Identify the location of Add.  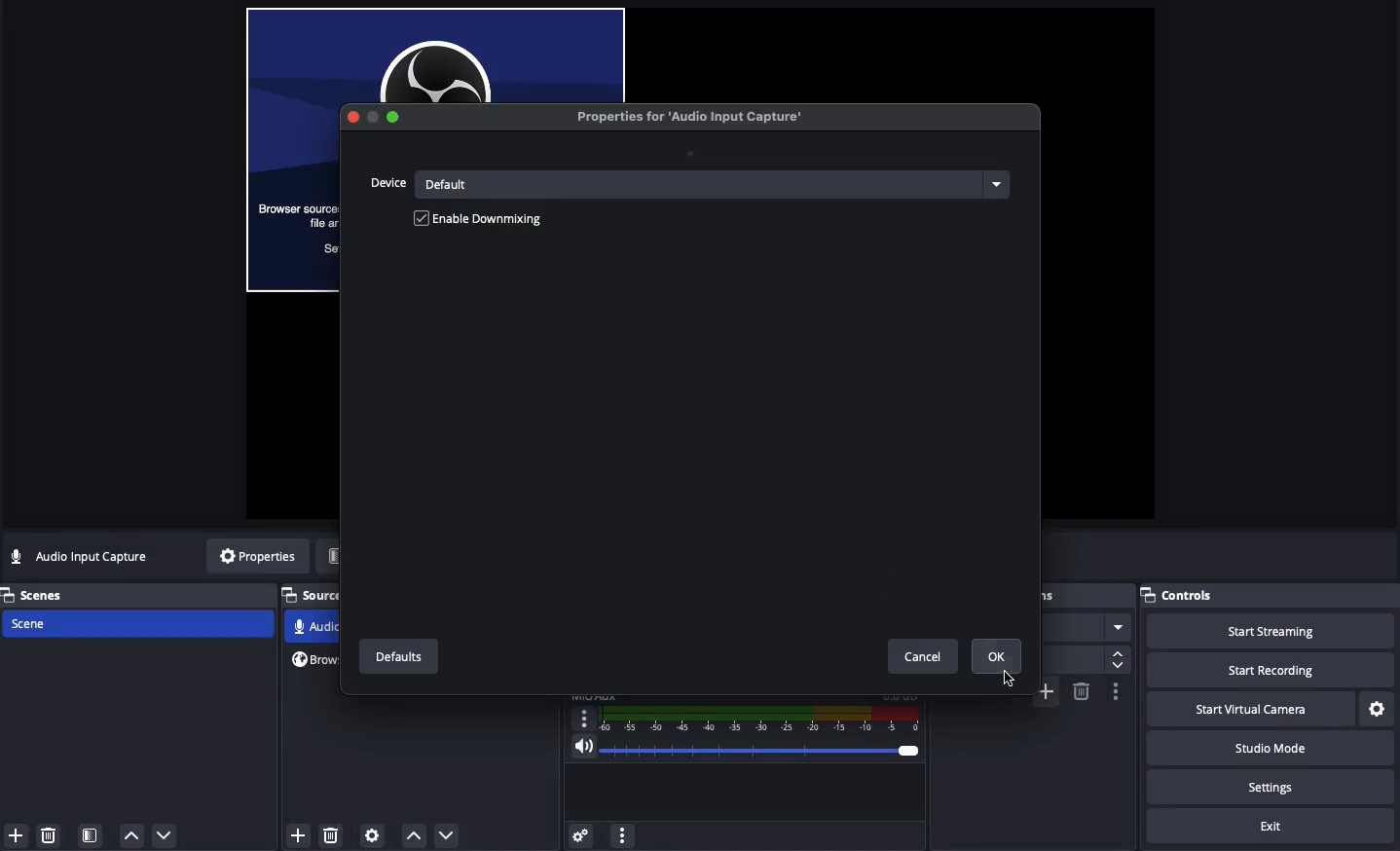
(1045, 692).